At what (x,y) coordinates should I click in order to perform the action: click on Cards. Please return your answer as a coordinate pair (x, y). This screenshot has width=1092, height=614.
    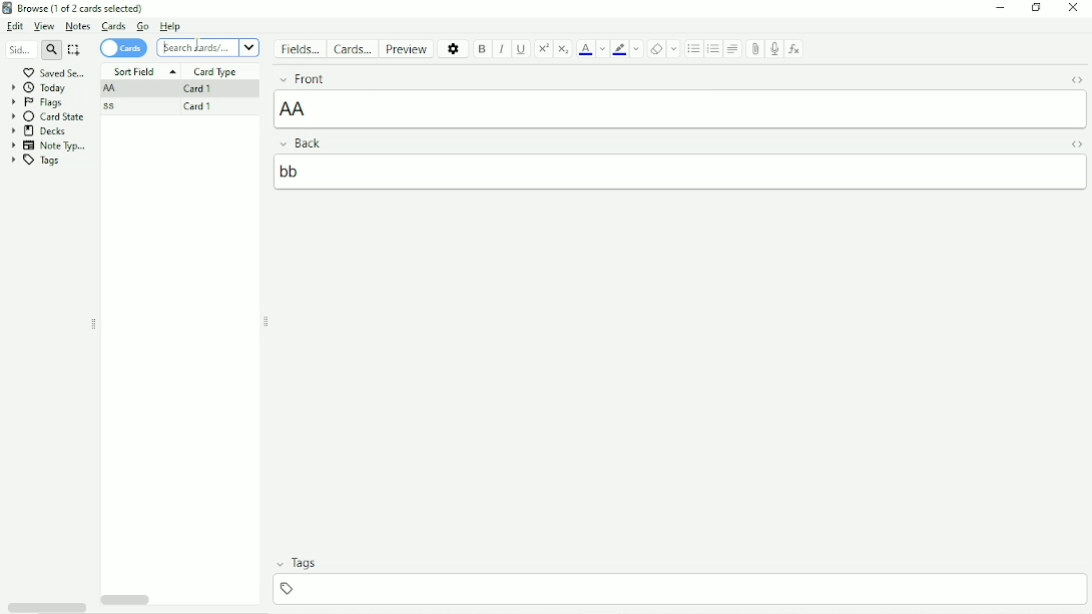
    Looking at the image, I should click on (124, 48).